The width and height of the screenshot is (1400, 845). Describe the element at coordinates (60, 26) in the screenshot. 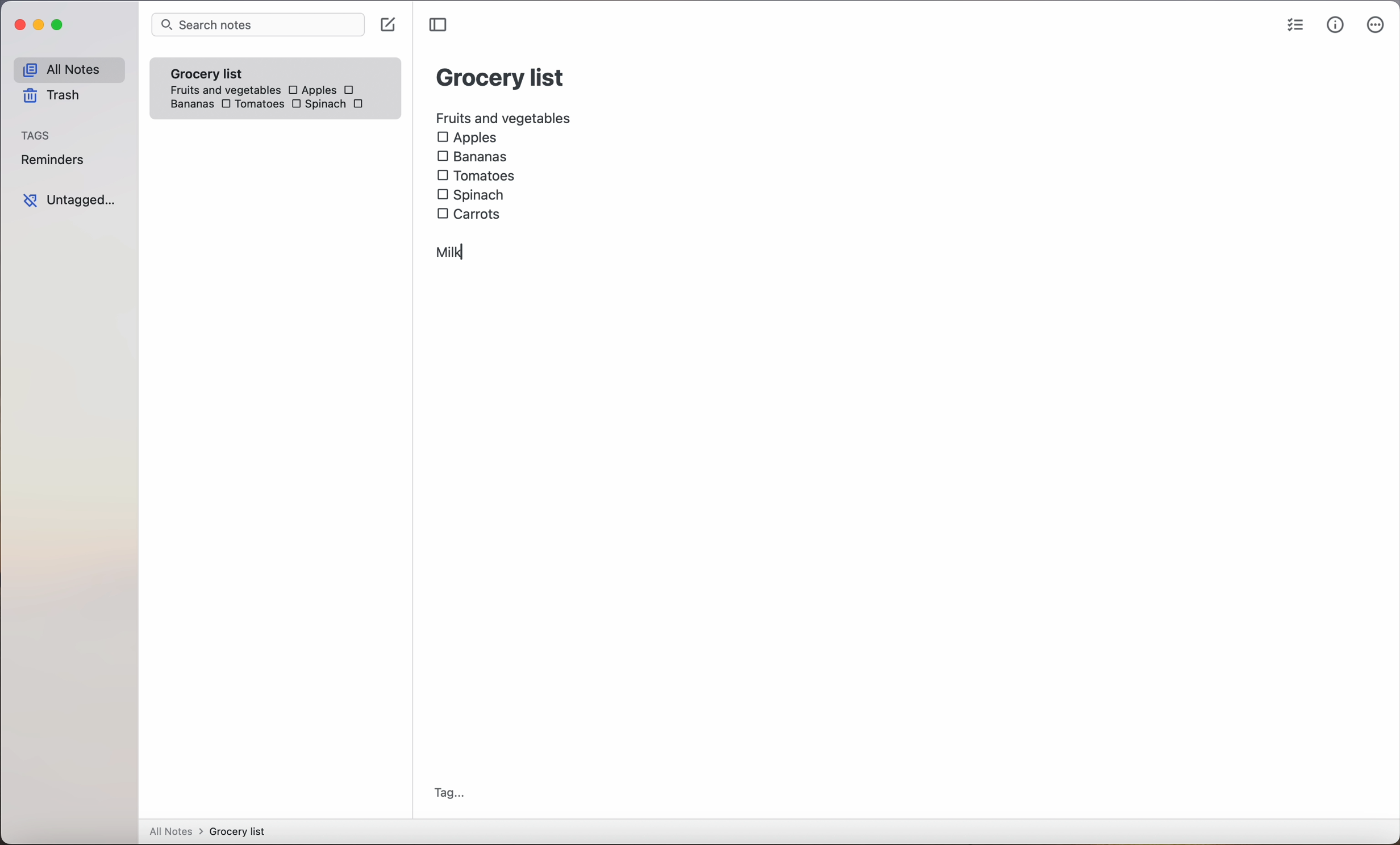

I see `maximize Simplenote` at that location.